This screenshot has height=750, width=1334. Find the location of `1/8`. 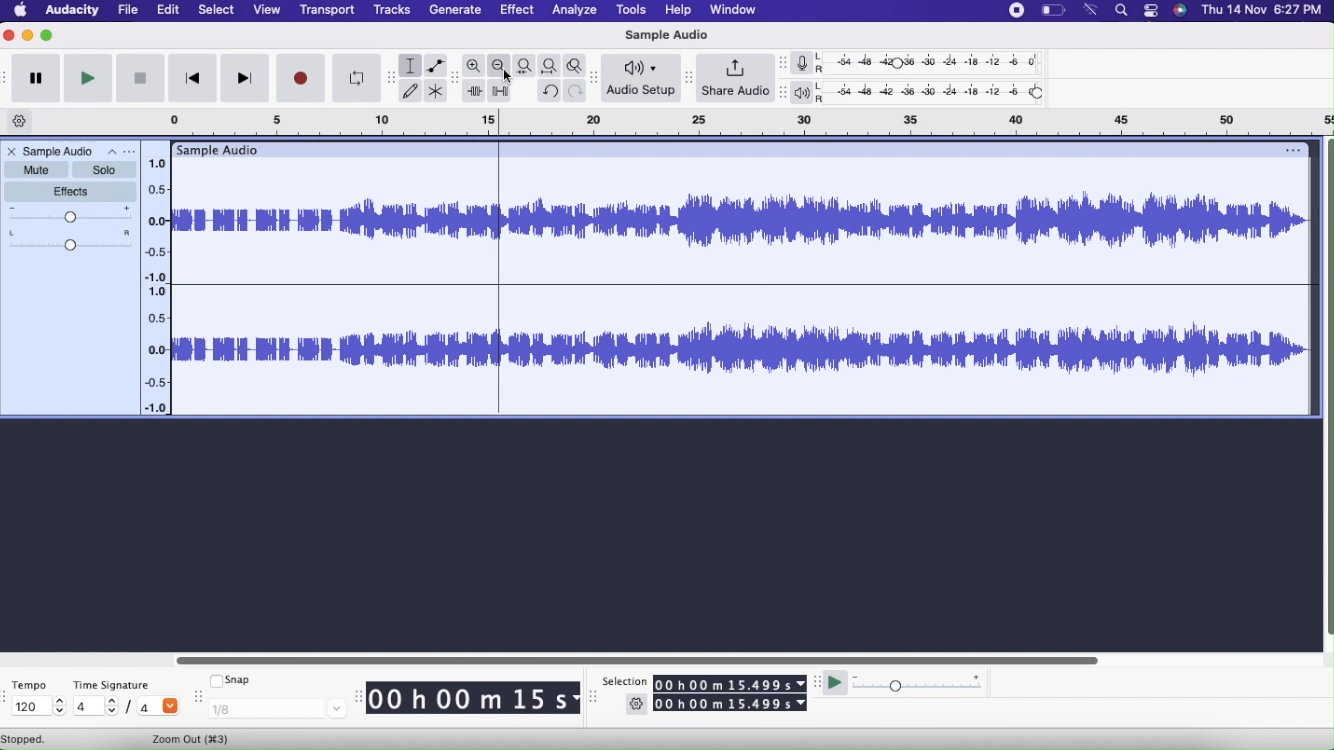

1/8 is located at coordinates (276, 711).